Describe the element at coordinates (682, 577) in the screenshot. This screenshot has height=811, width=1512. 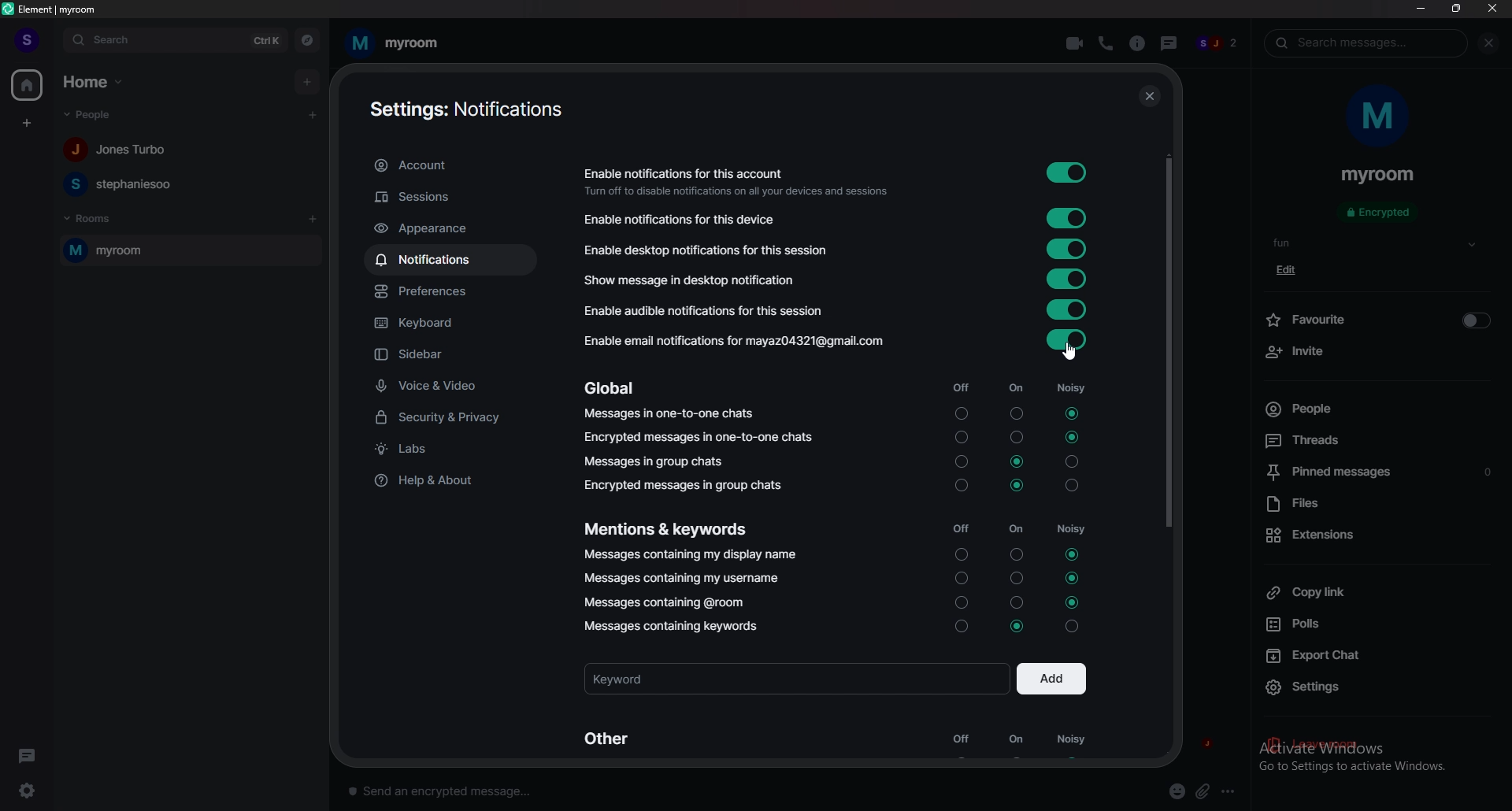
I see `messages containing my username` at that location.